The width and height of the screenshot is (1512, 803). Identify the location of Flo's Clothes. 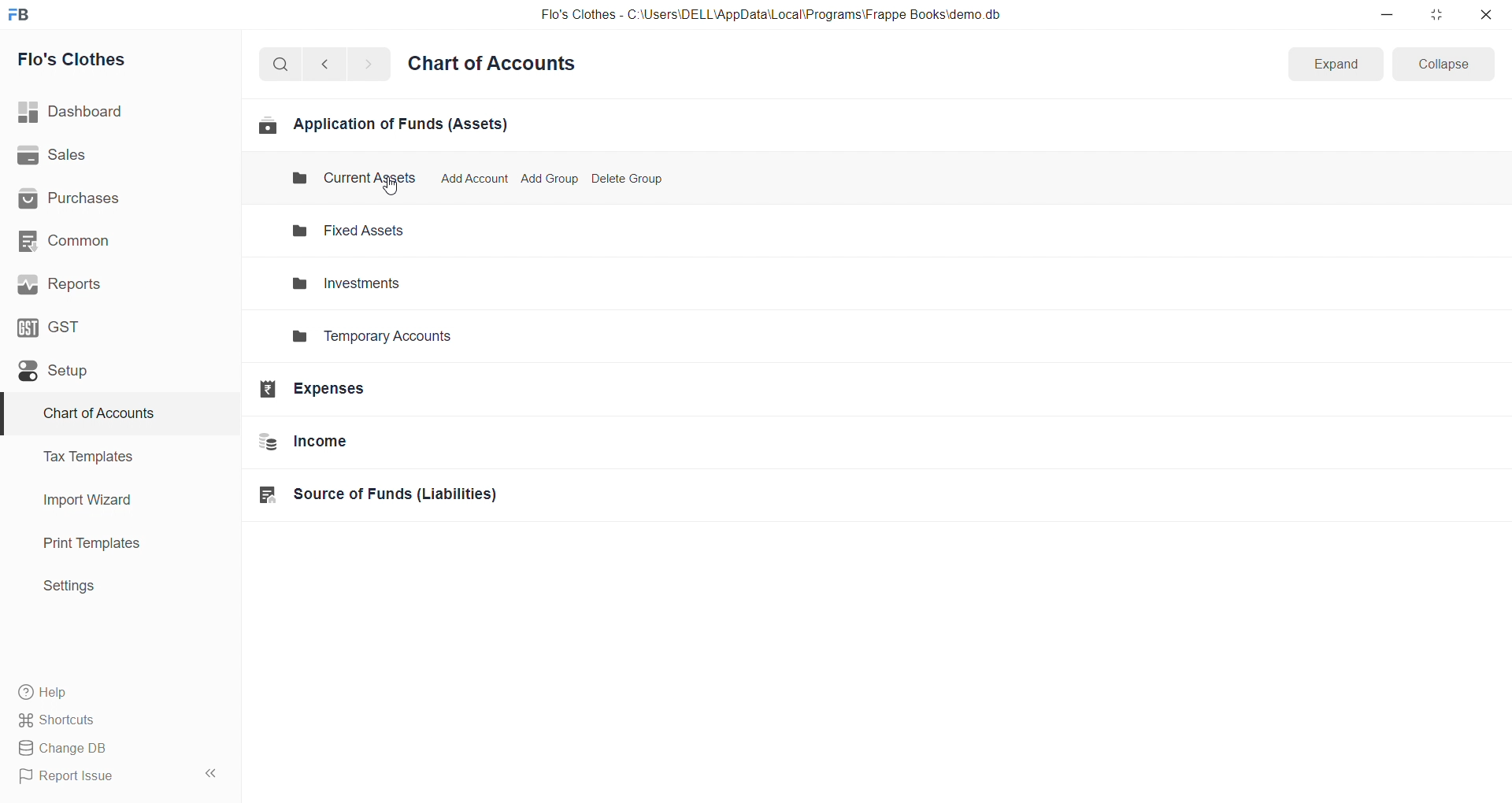
(113, 60).